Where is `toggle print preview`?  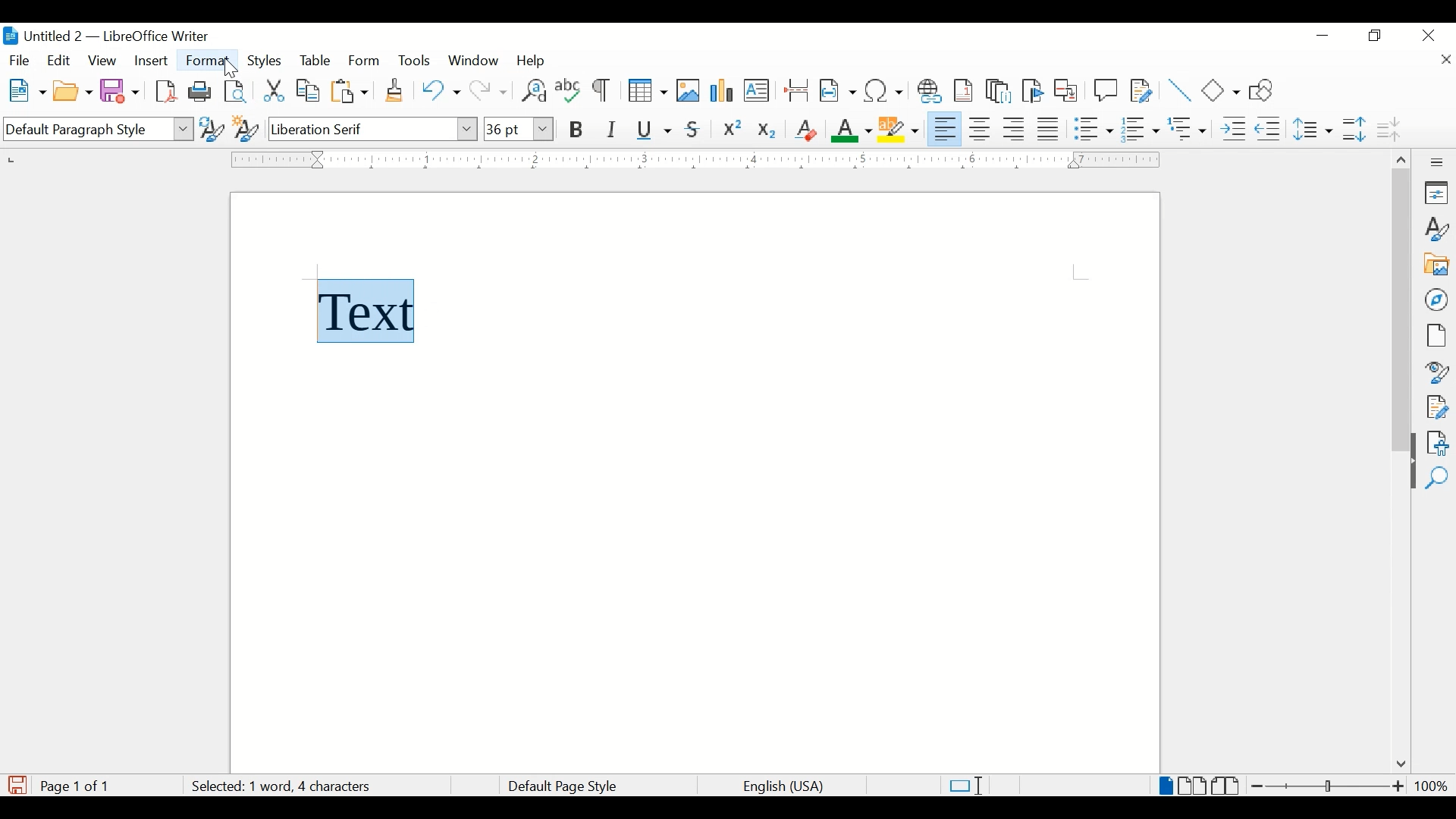 toggle print preview is located at coordinates (237, 91).